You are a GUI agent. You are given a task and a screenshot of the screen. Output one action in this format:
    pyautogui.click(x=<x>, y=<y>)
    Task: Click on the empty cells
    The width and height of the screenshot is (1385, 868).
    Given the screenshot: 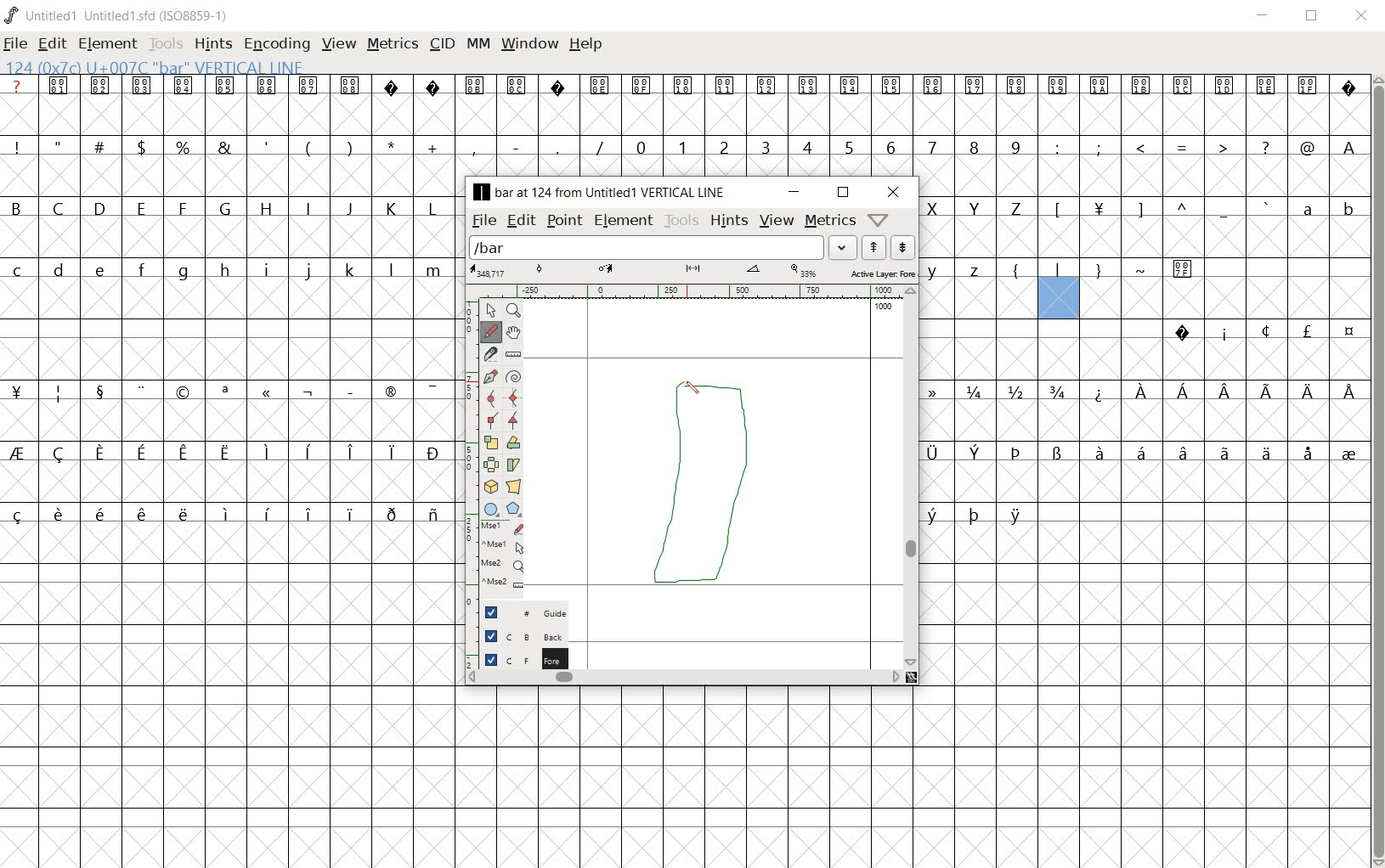 What is the action you would take?
    pyautogui.click(x=1142, y=176)
    